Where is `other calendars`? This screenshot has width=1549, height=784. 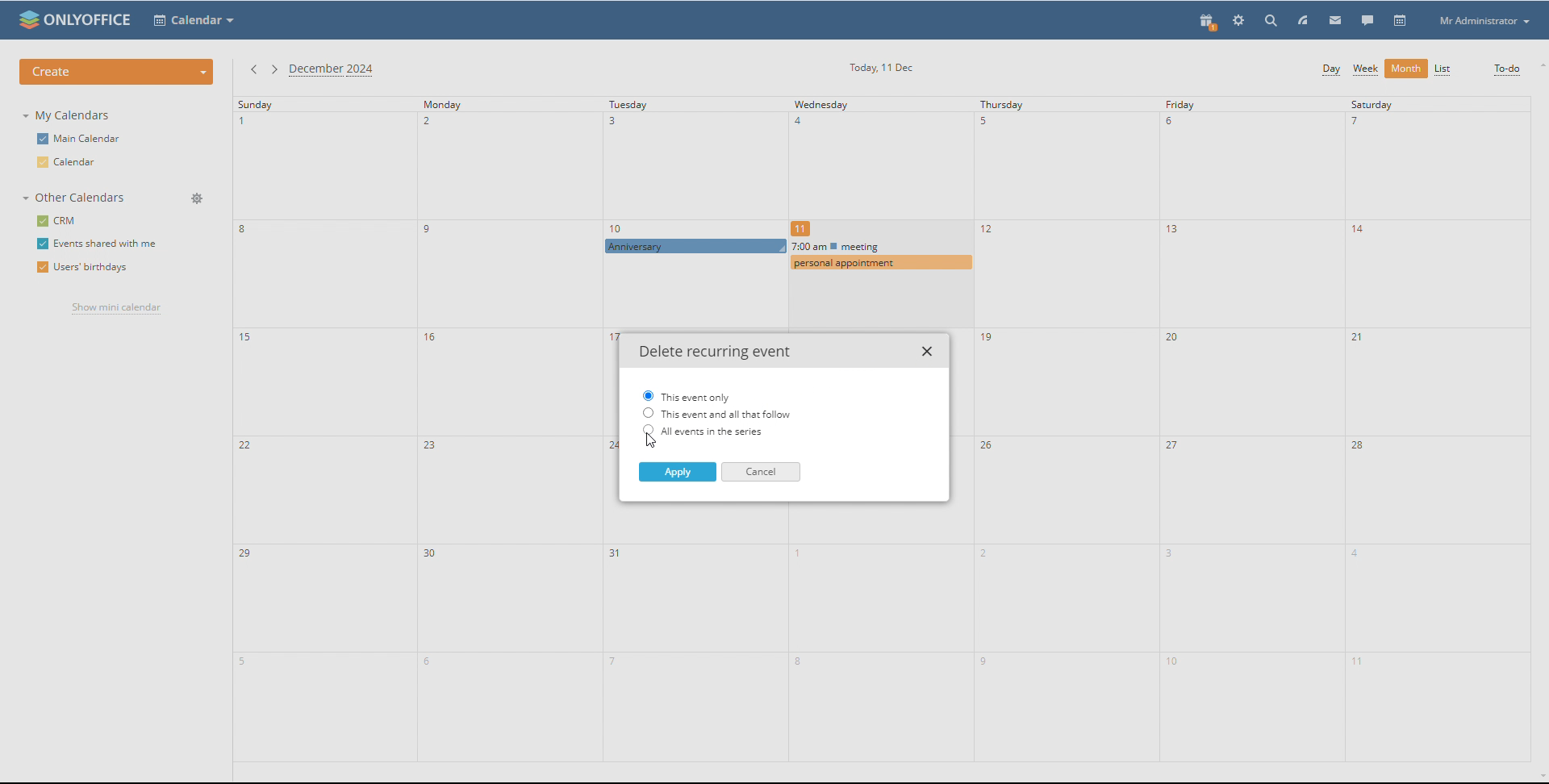 other calendars is located at coordinates (77, 198).